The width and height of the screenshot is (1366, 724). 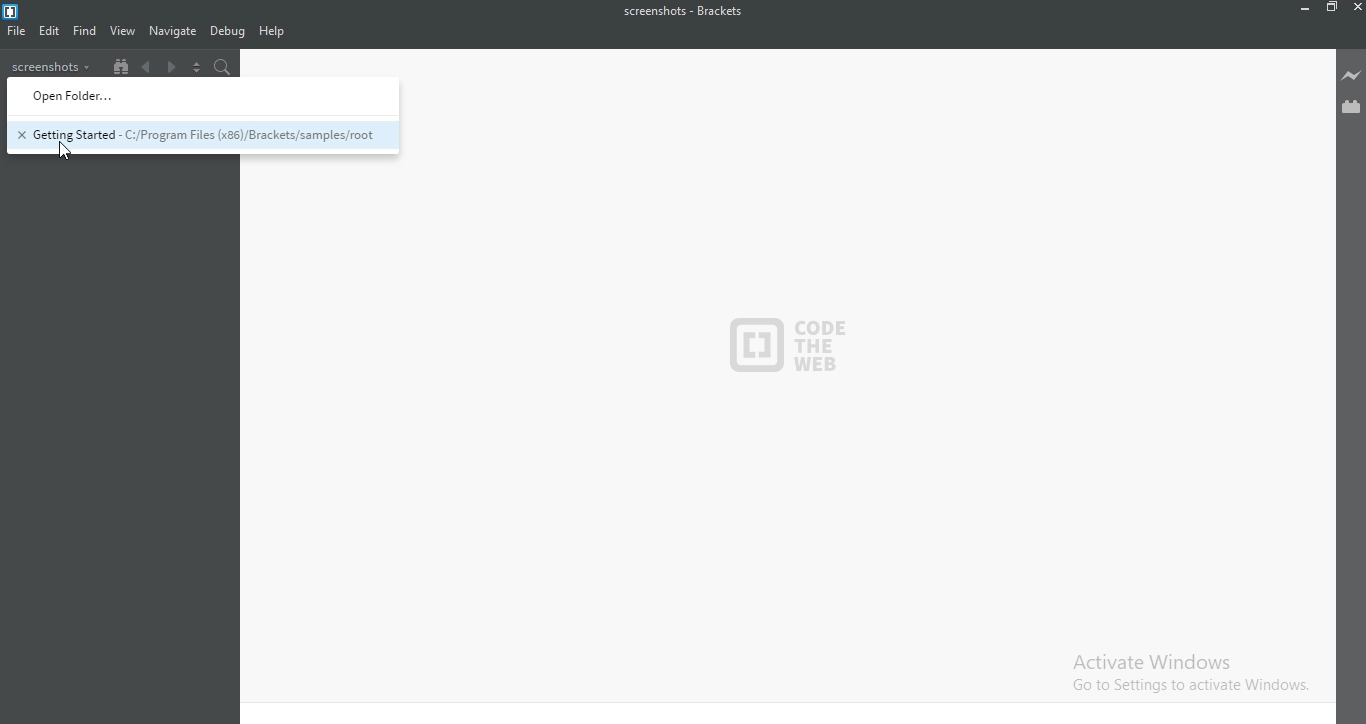 What do you see at coordinates (29, 11) in the screenshot?
I see `Logo` at bounding box center [29, 11].